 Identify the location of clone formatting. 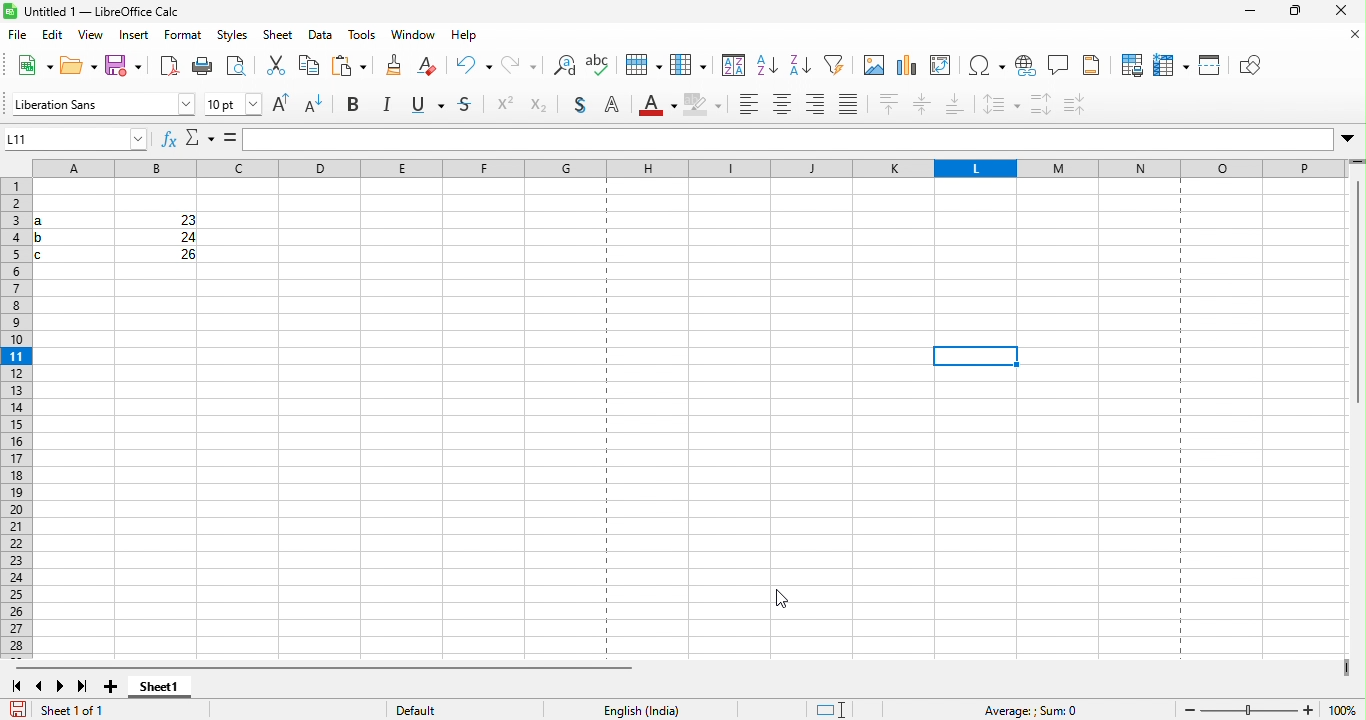
(351, 67).